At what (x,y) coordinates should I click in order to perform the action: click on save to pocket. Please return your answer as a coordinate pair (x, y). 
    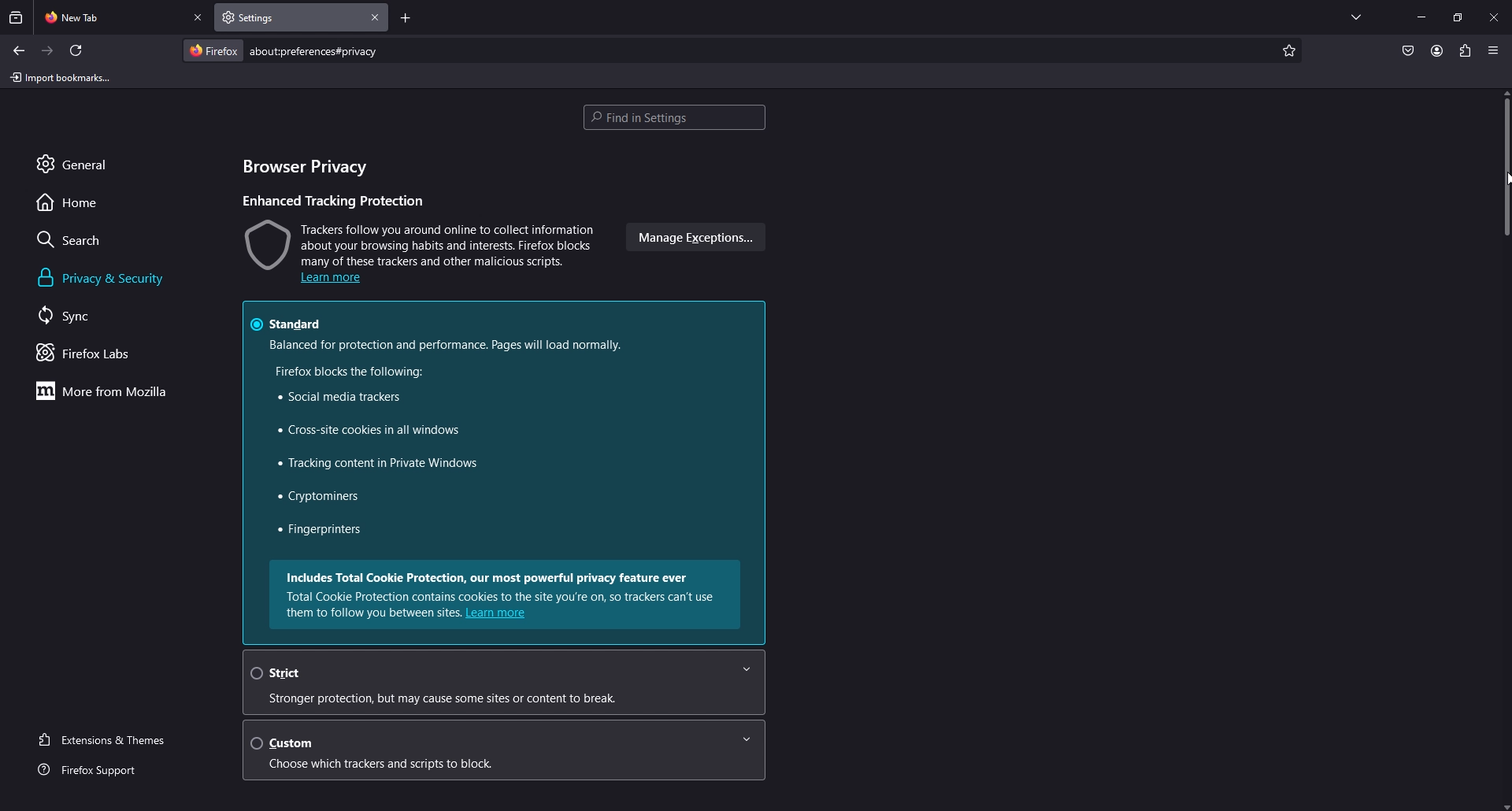
    Looking at the image, I should click on (1407, 52).